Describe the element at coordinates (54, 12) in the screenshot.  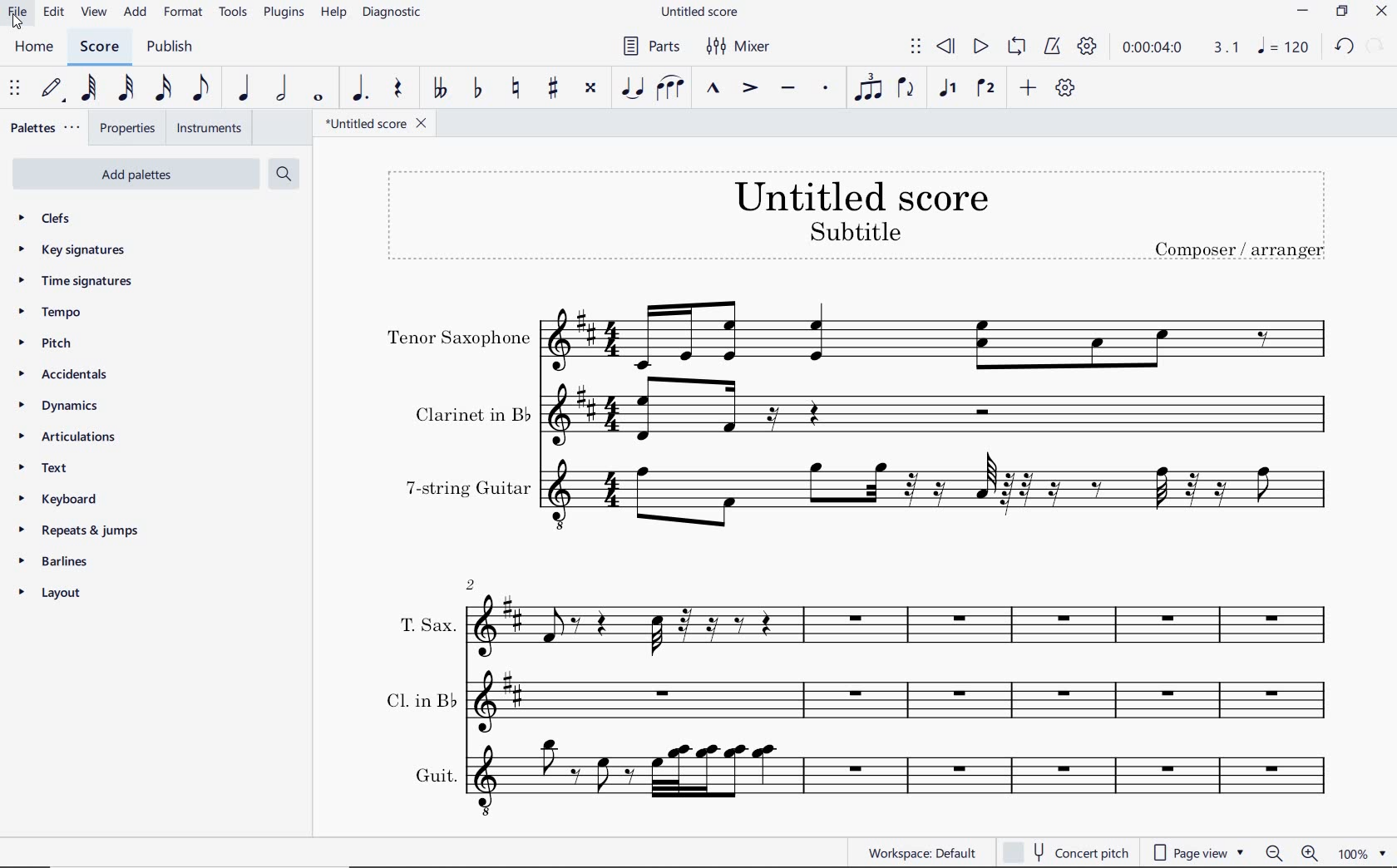
I see `EDIT` at that location.